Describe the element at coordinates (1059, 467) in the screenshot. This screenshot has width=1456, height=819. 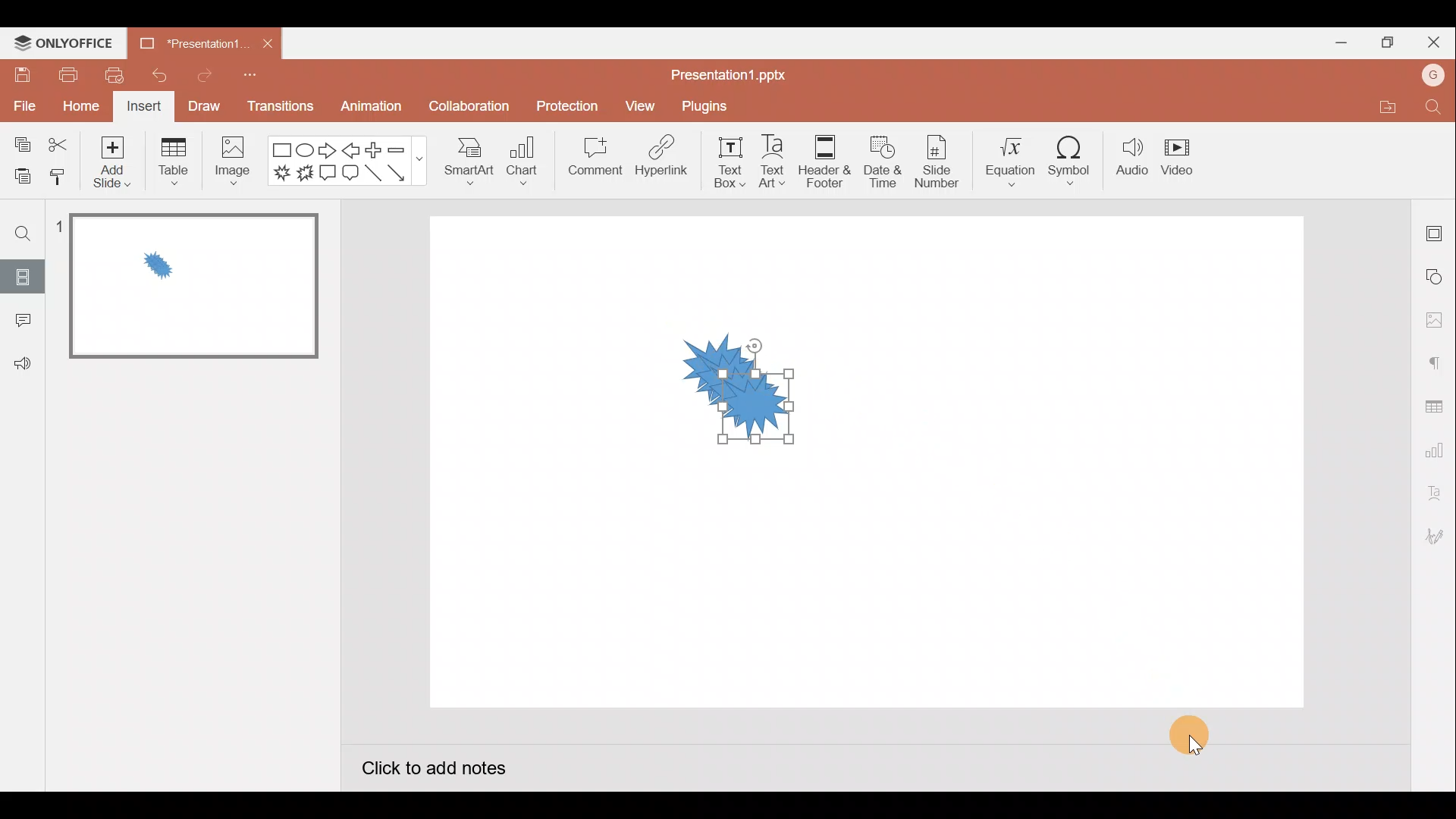
I see `Presentation slide` at that location.